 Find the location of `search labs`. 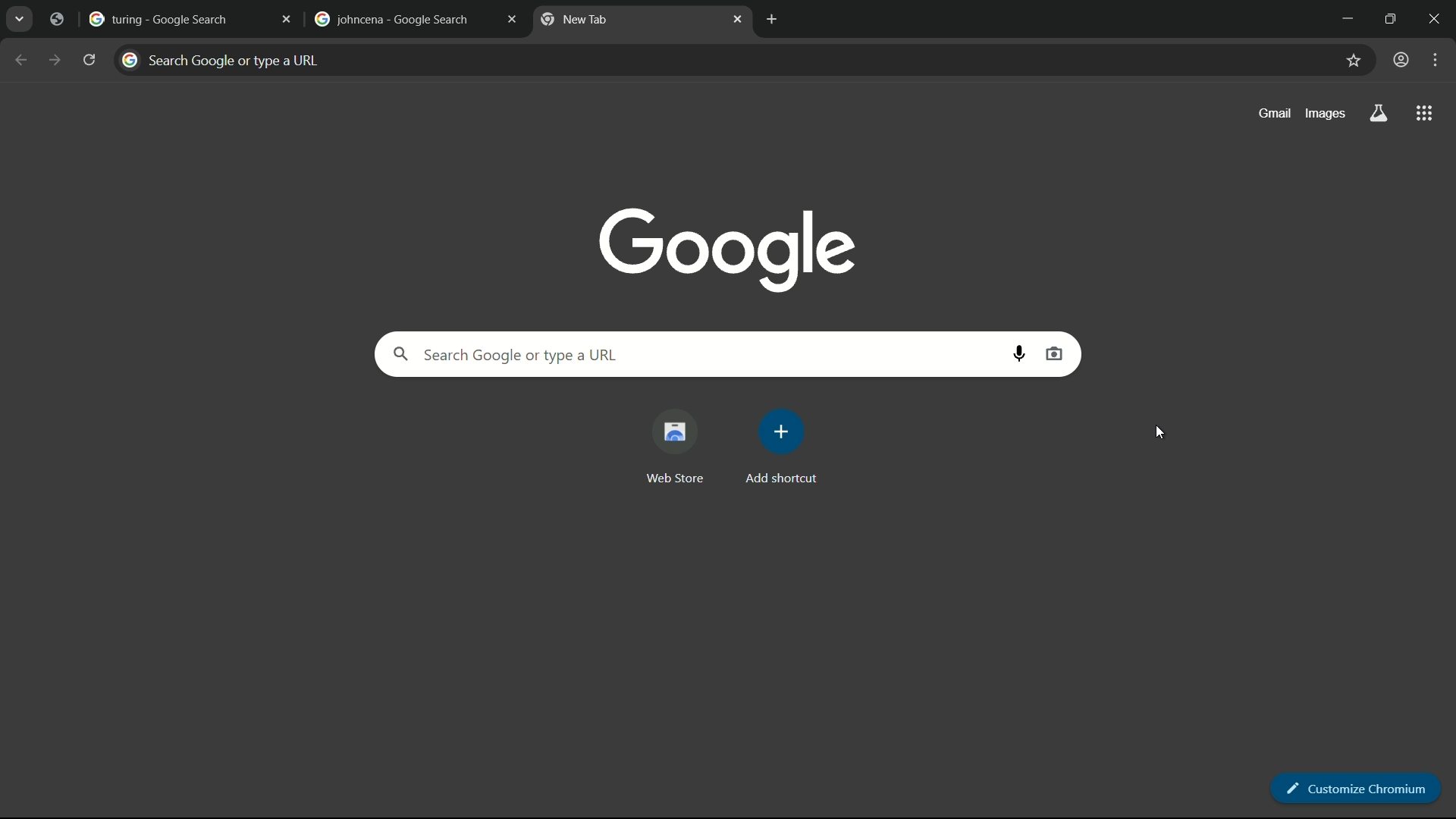

search labs is located at coordinates (1377, 114).